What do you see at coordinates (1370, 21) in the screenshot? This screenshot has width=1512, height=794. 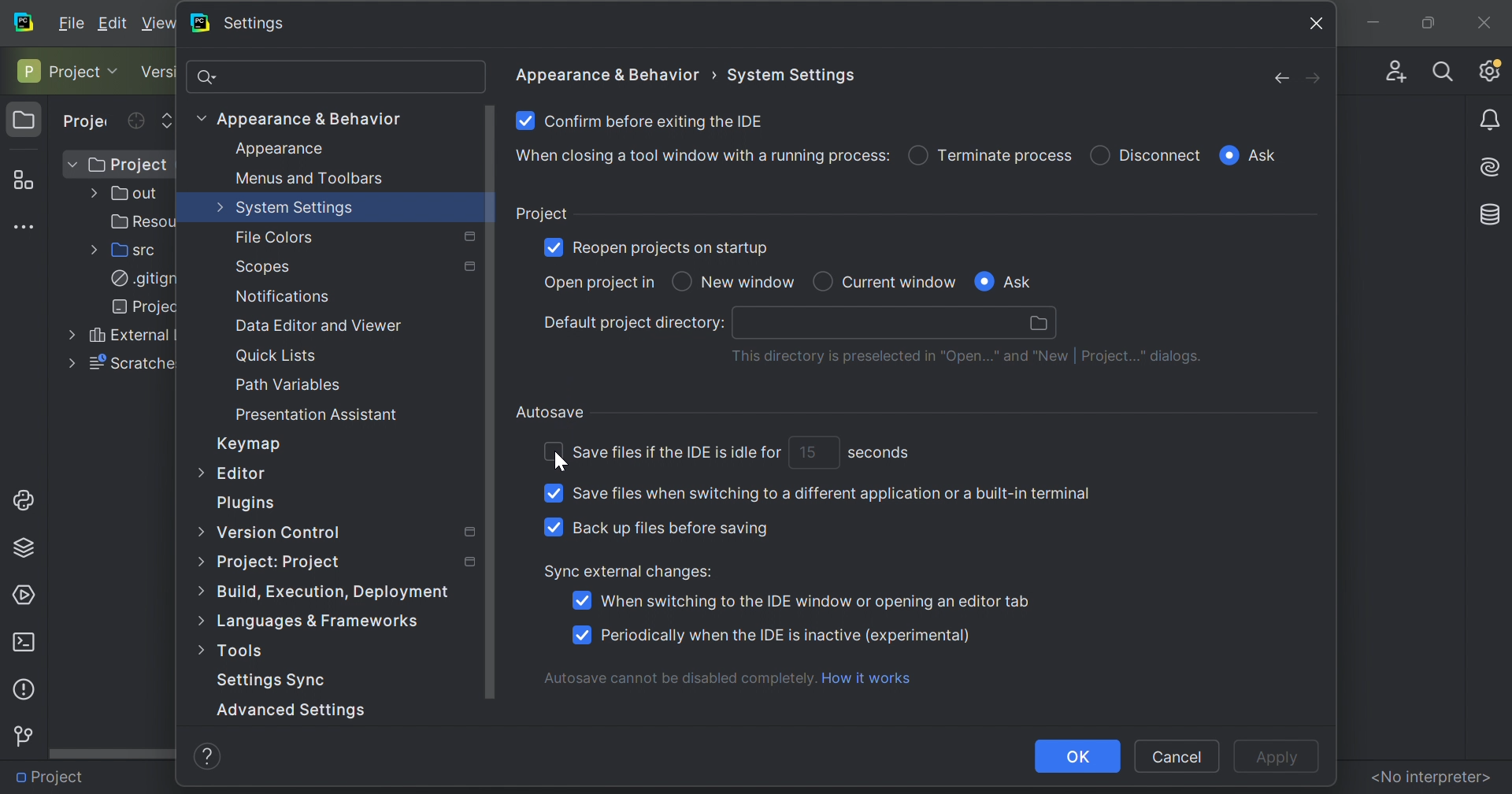 I see `Minimize` at bounding box center [1370, 21].